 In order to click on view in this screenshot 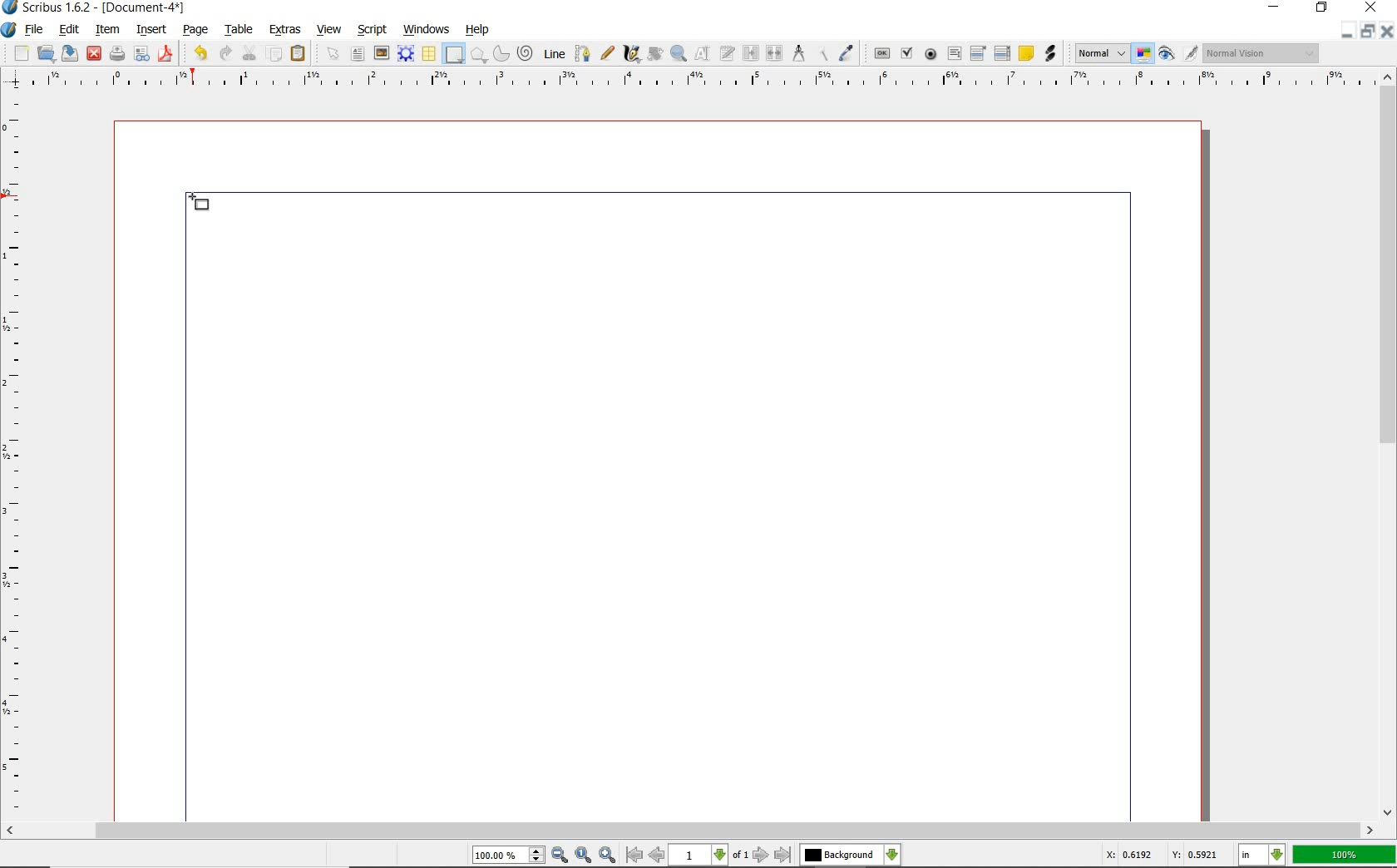, I will do `click(329, 30)`.